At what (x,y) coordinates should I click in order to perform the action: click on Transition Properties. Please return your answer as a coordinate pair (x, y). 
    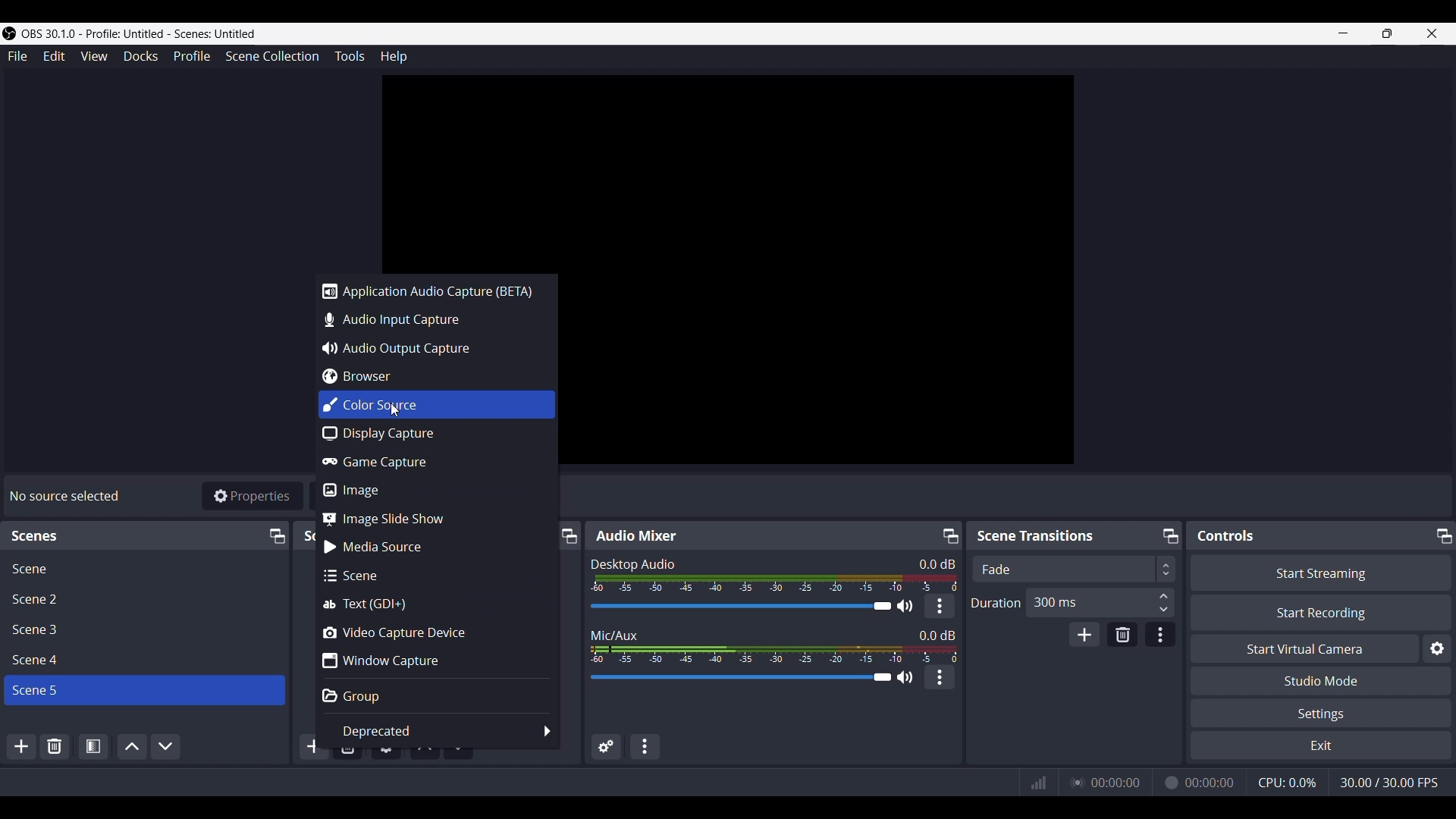
    Looking at the image, I should click on (1160, 634).